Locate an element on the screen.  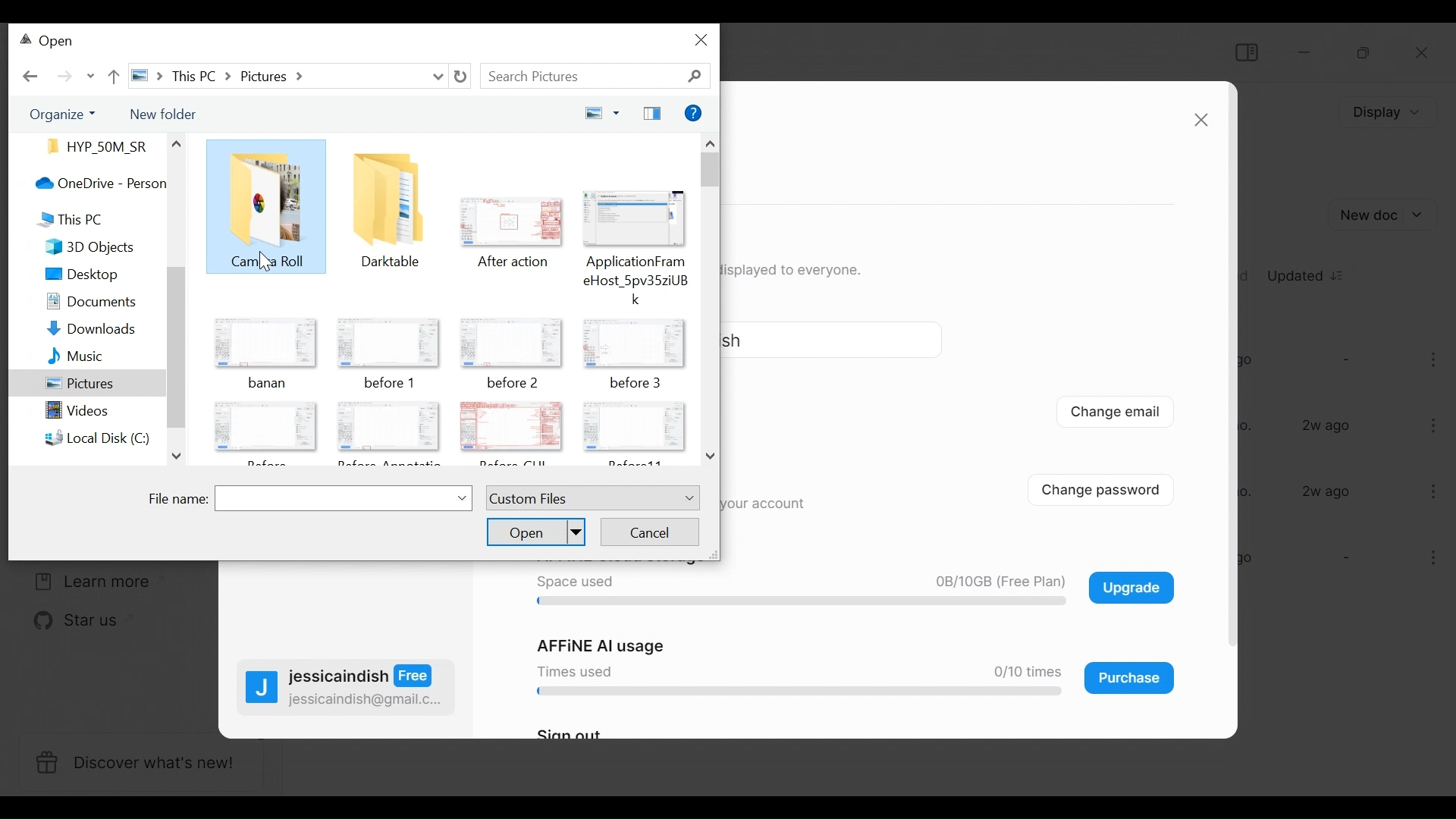
OneDrive is located at coordinates (87, 183).